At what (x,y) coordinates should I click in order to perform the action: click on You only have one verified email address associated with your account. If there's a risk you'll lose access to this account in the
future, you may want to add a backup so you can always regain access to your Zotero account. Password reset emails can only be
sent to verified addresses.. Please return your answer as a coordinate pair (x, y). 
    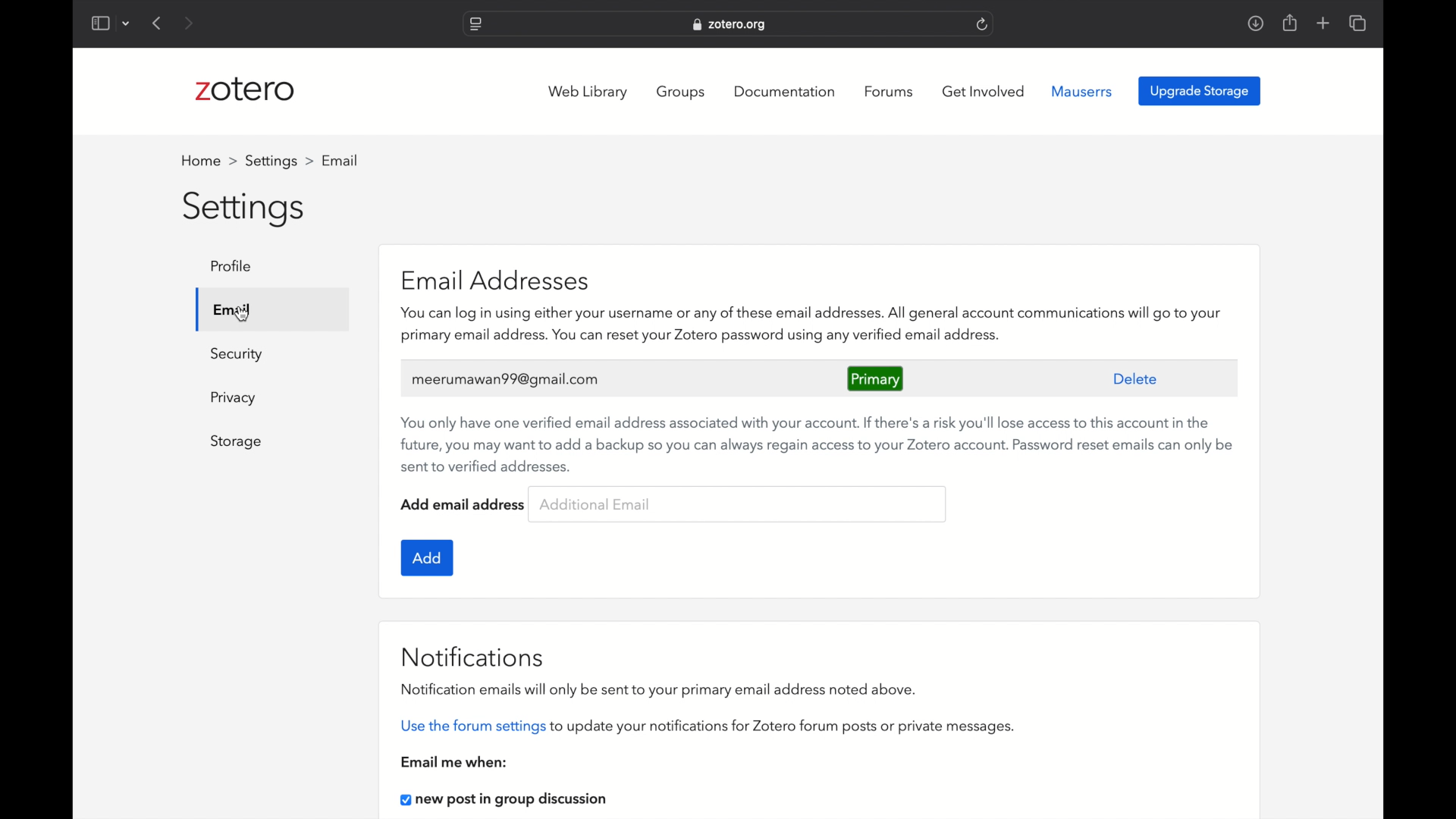
    Looking at the image, I should click on (814, 443).